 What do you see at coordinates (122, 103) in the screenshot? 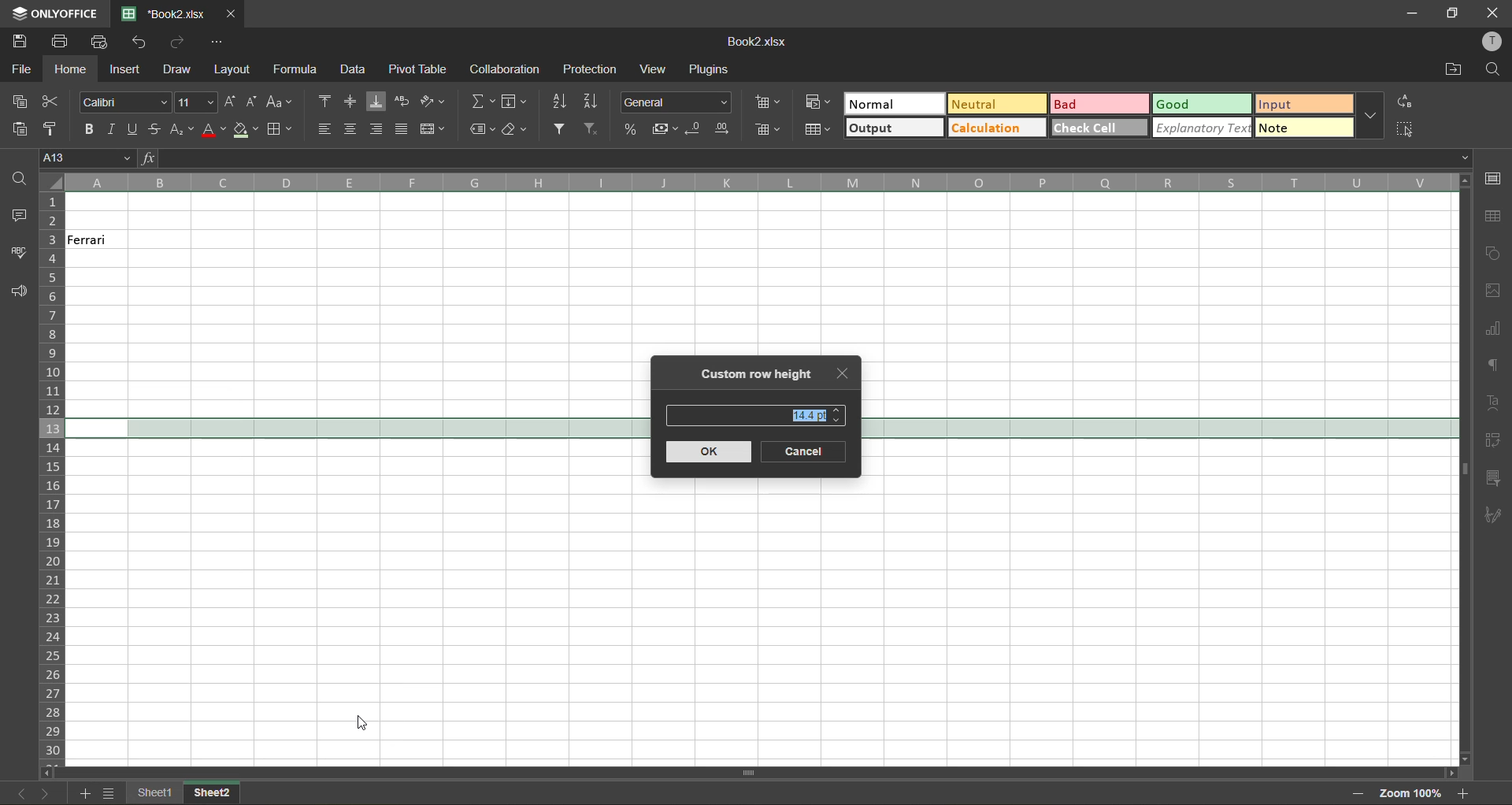
I see `font style` at bounding box center [122, 103].